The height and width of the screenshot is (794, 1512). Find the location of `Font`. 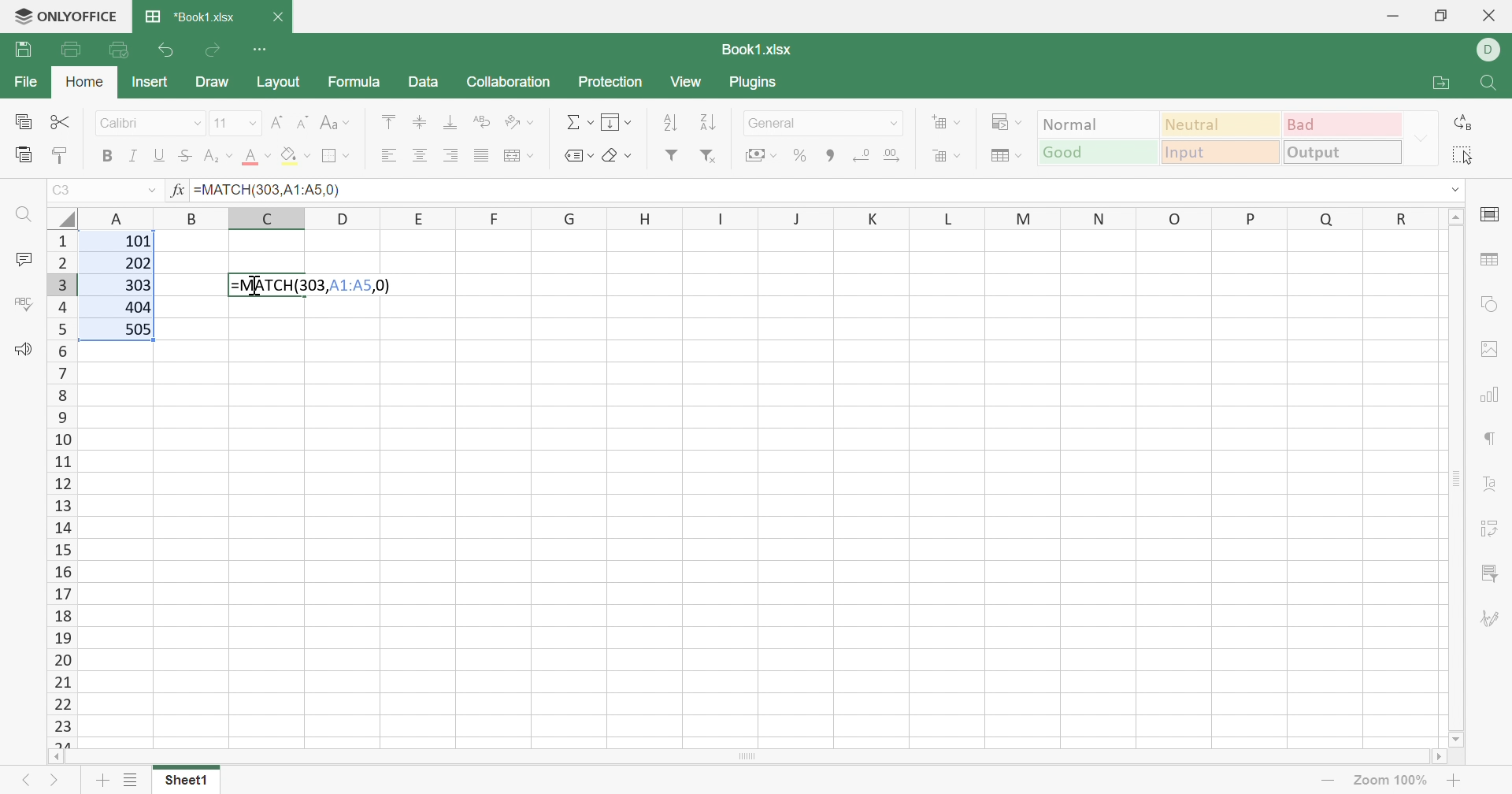

Font is located at coordinates (125, 124).